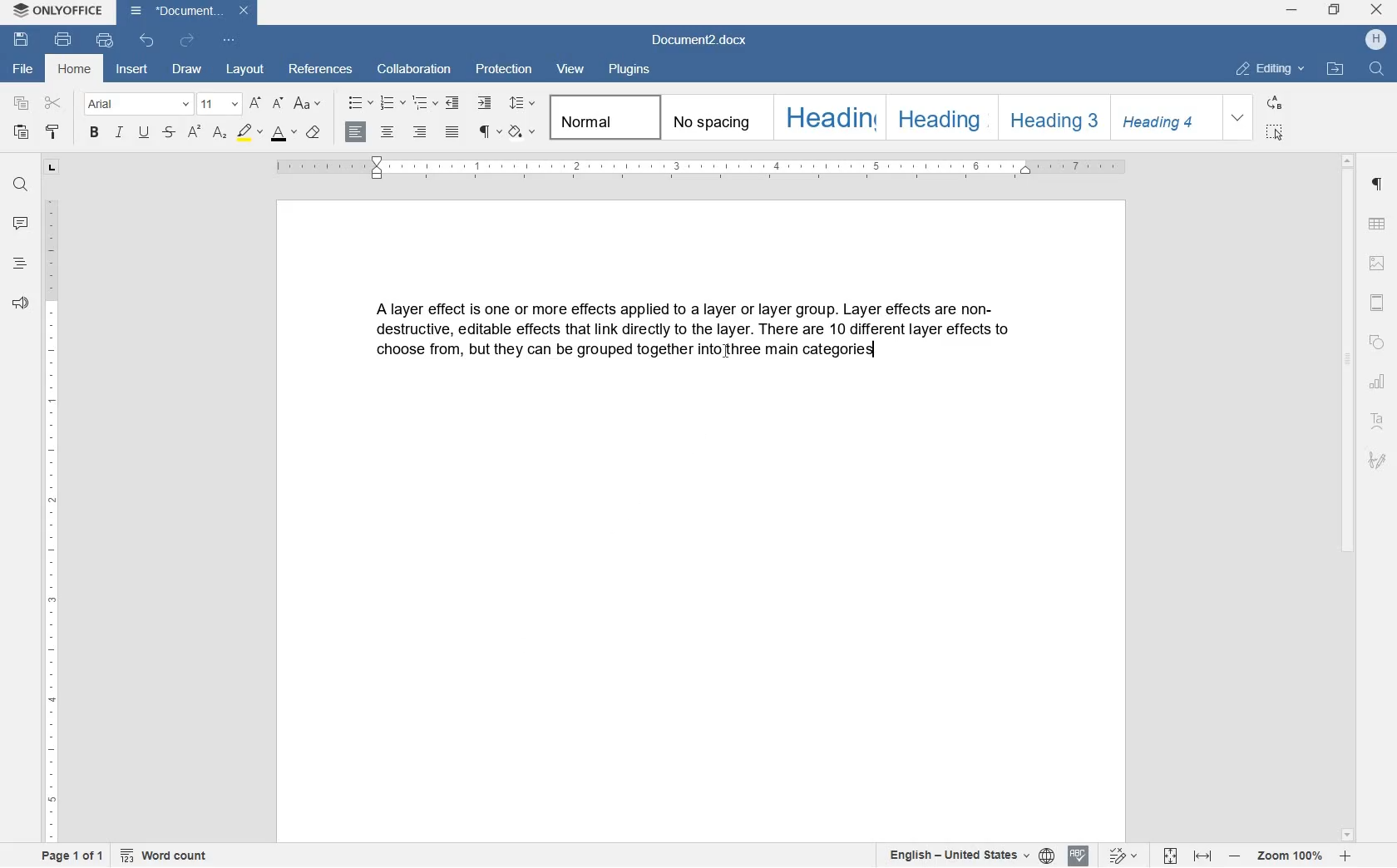  I want to click on highlight color, so click(250, 134).